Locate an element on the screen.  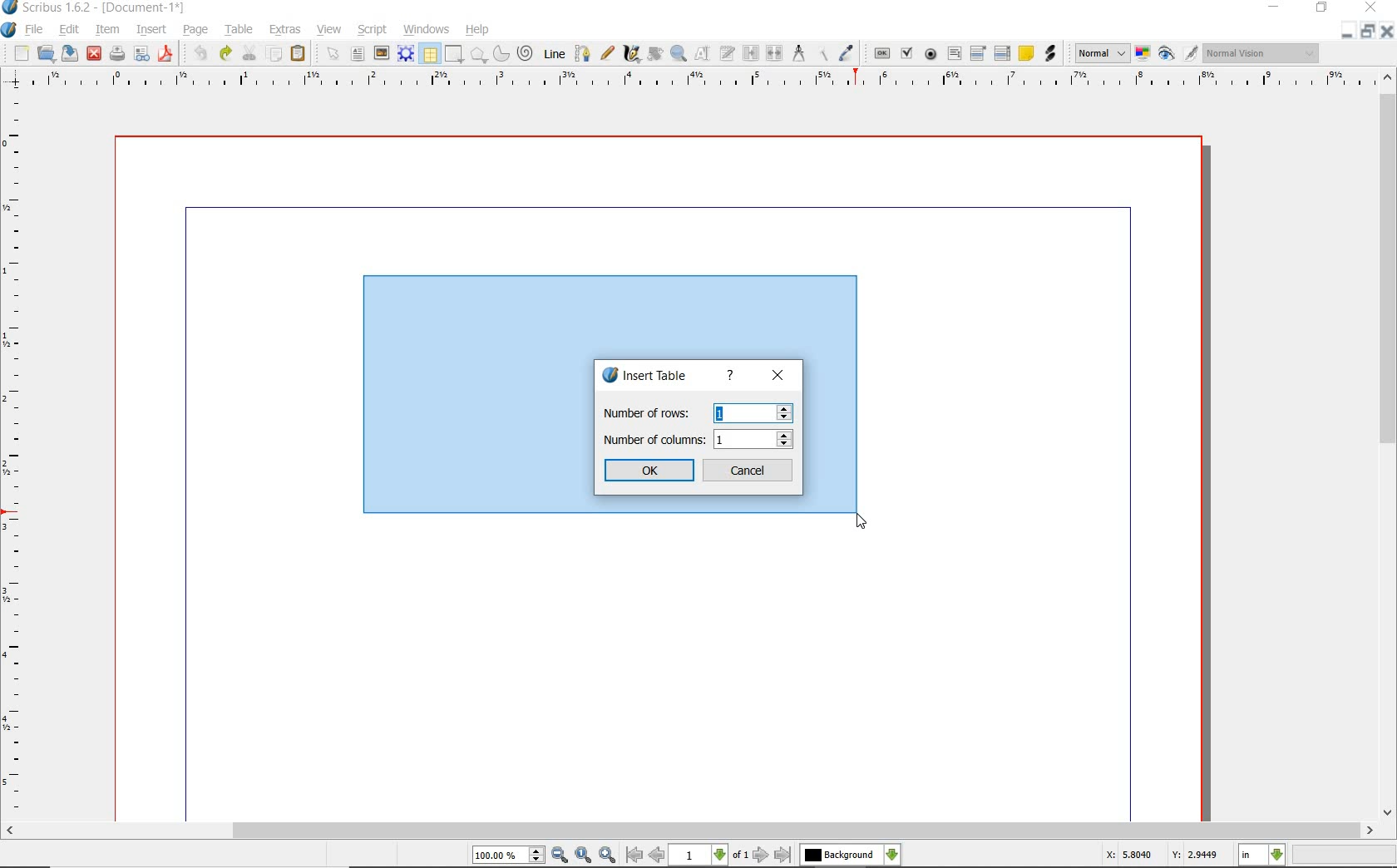
edit text with story editor is located at coordinates (728, 52).